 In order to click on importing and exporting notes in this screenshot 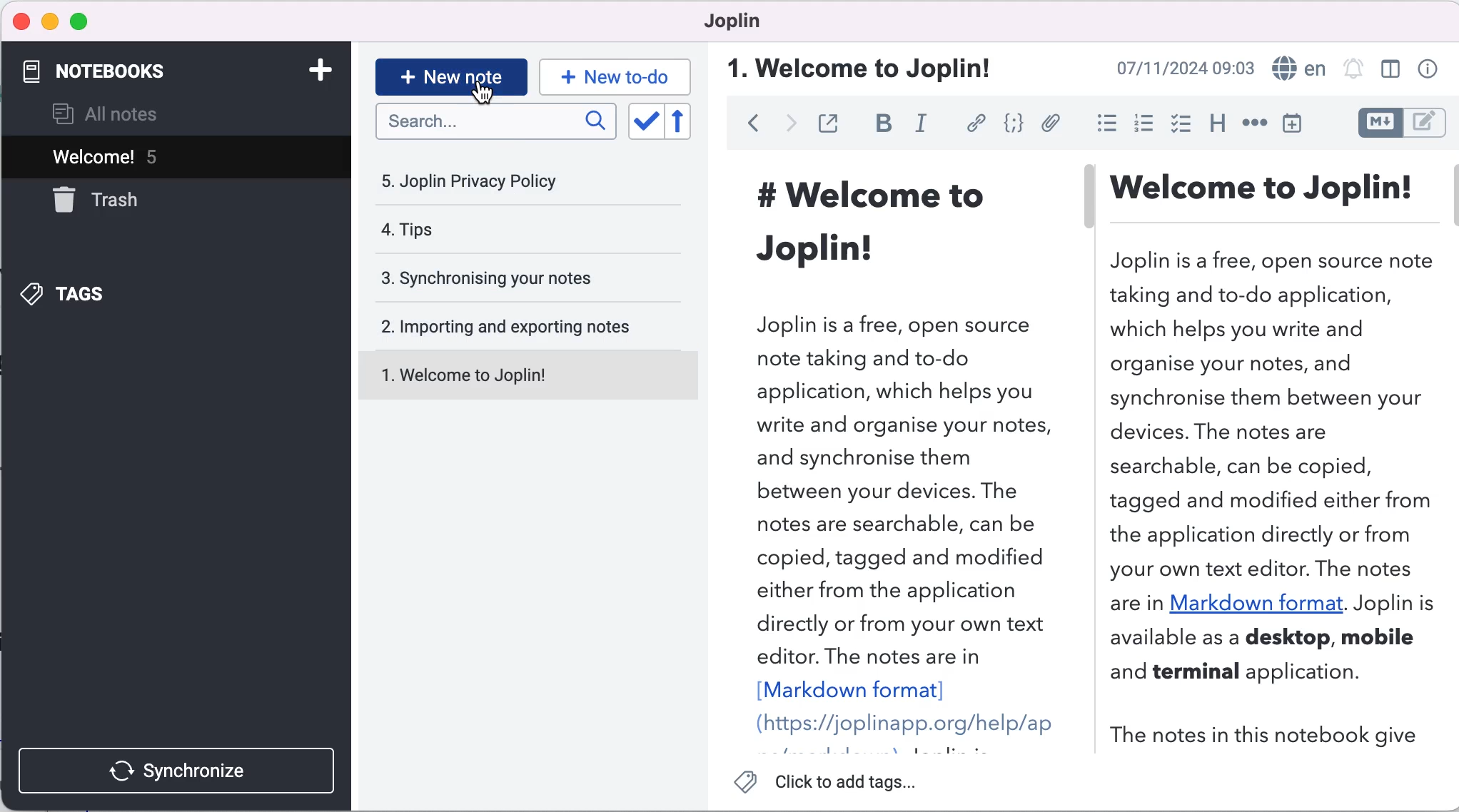, I will do `click(515, 325)`.